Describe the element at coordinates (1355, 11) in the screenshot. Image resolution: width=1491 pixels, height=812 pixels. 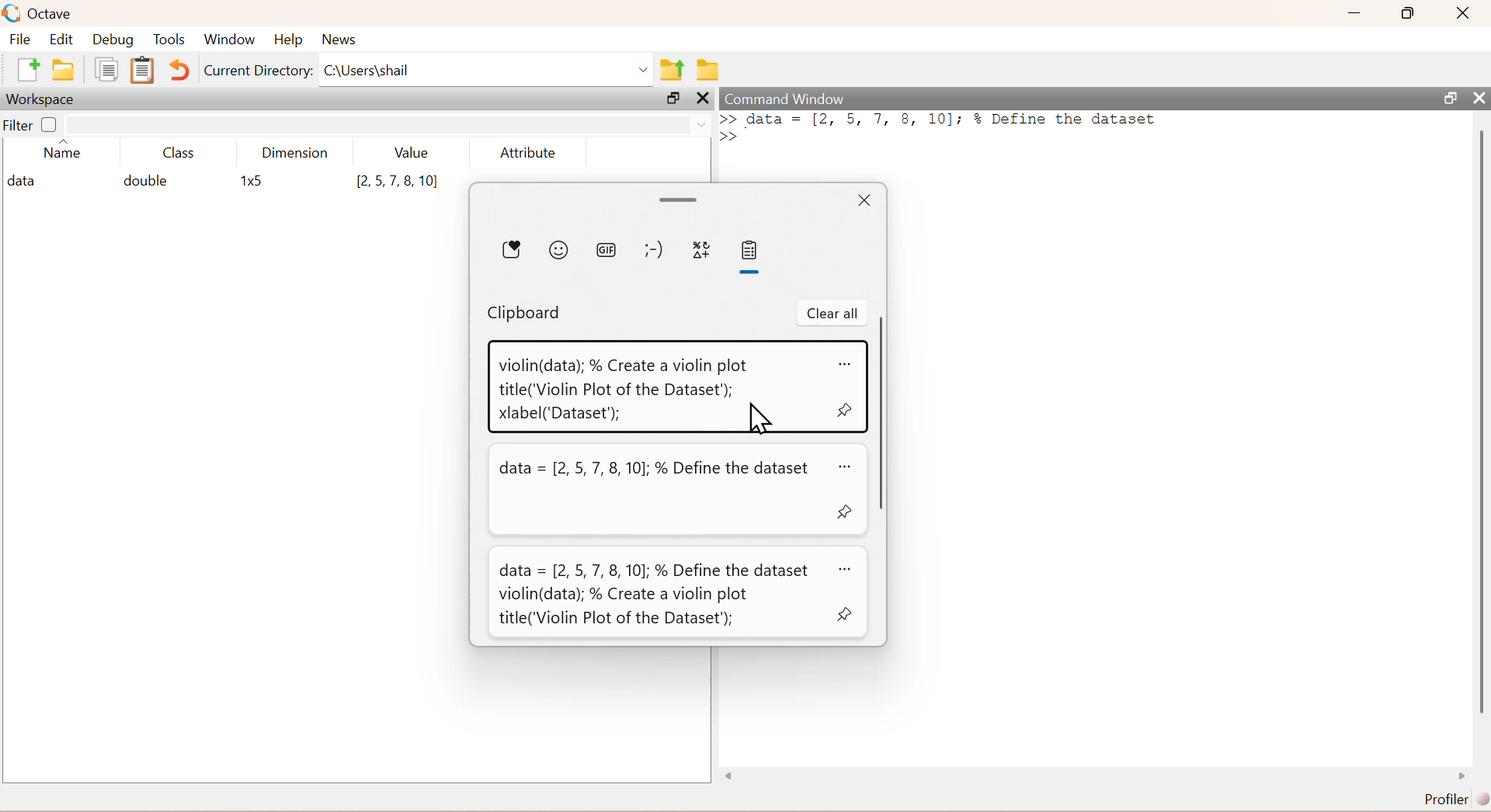
I see `minimise` at that location.